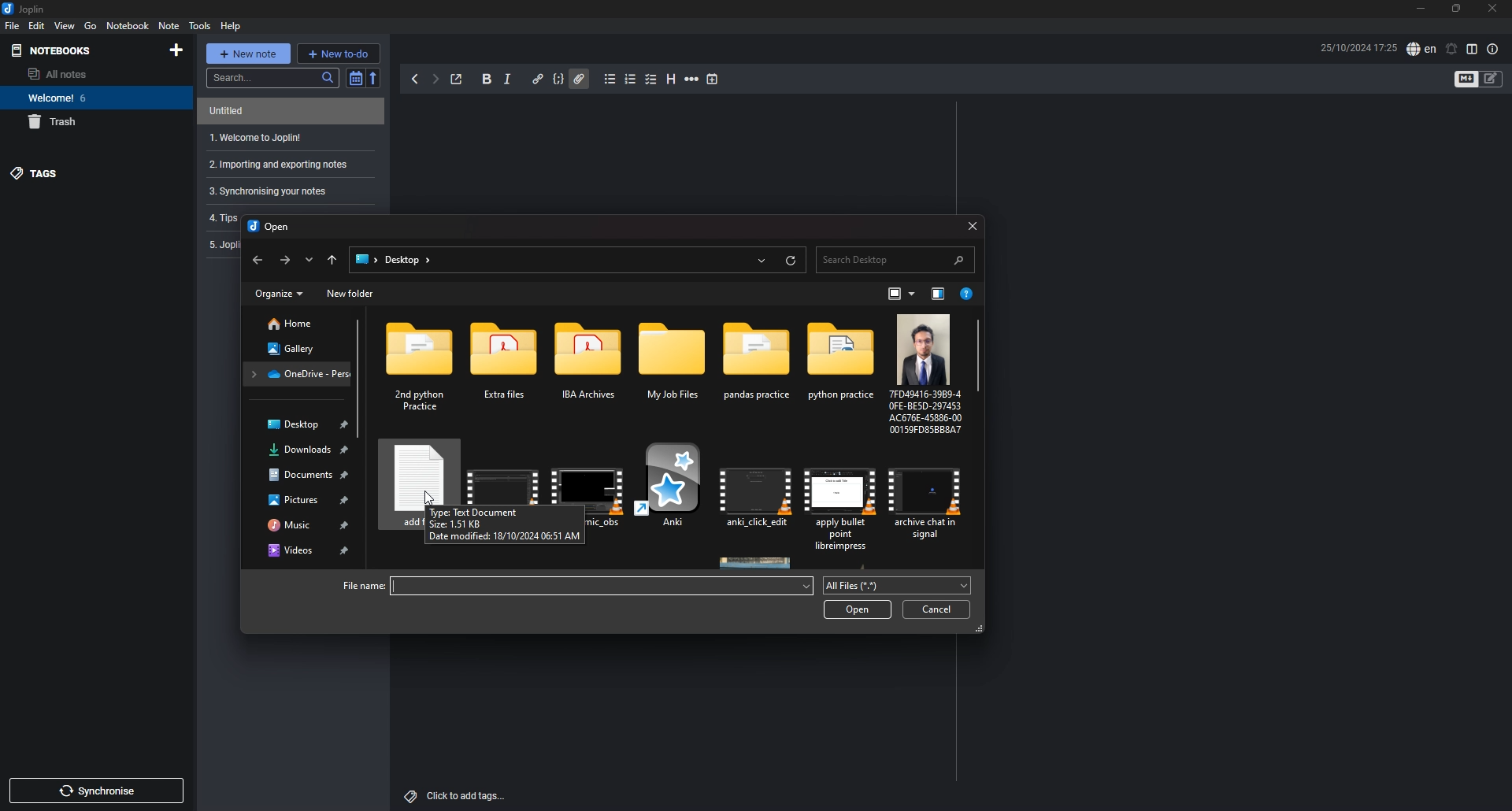 Image resolution: width=1512 pixels, height=811 pixels. I want to click on joplin, so click(24, 8).